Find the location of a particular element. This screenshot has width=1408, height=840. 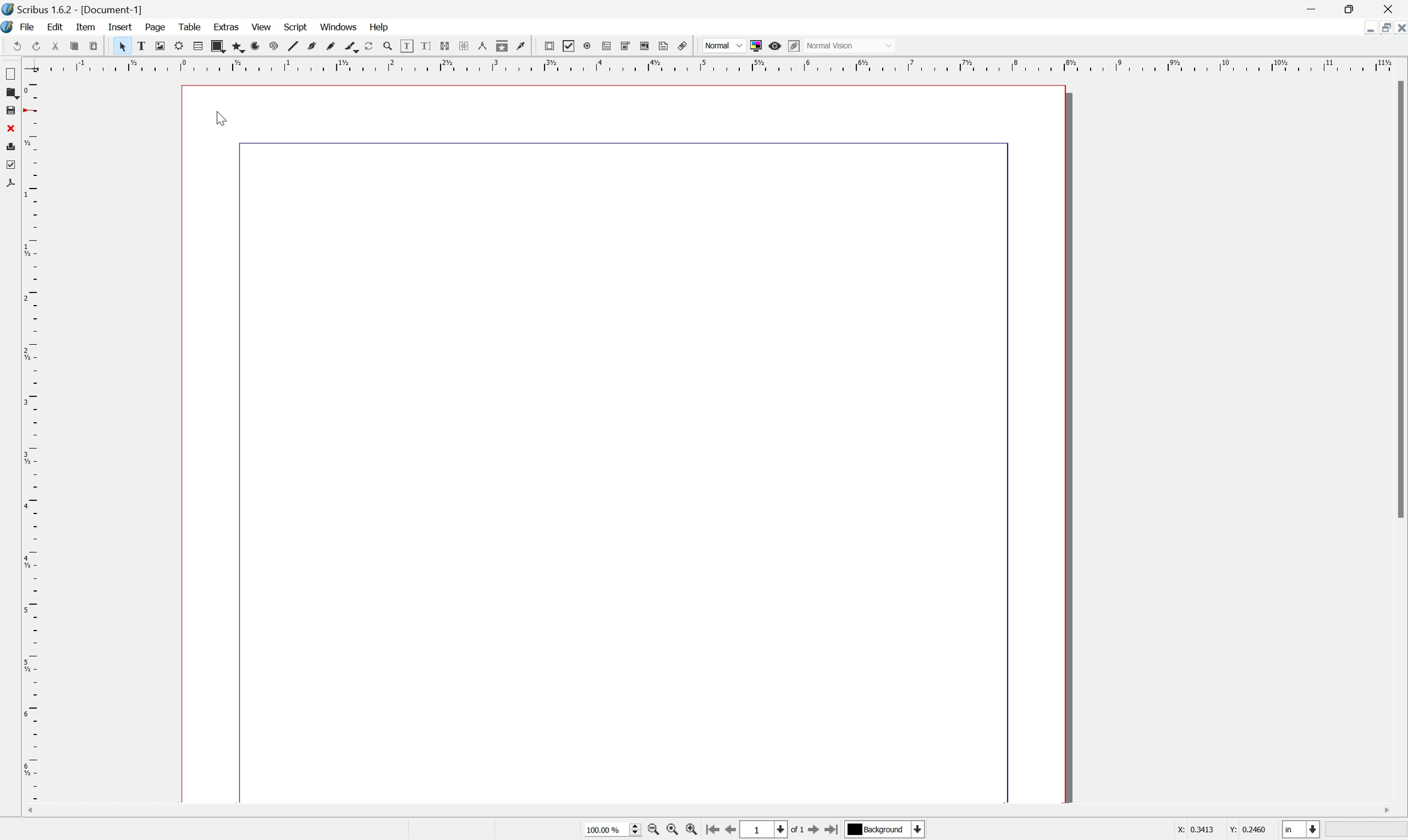

redo is located at coordinates (181, 46).